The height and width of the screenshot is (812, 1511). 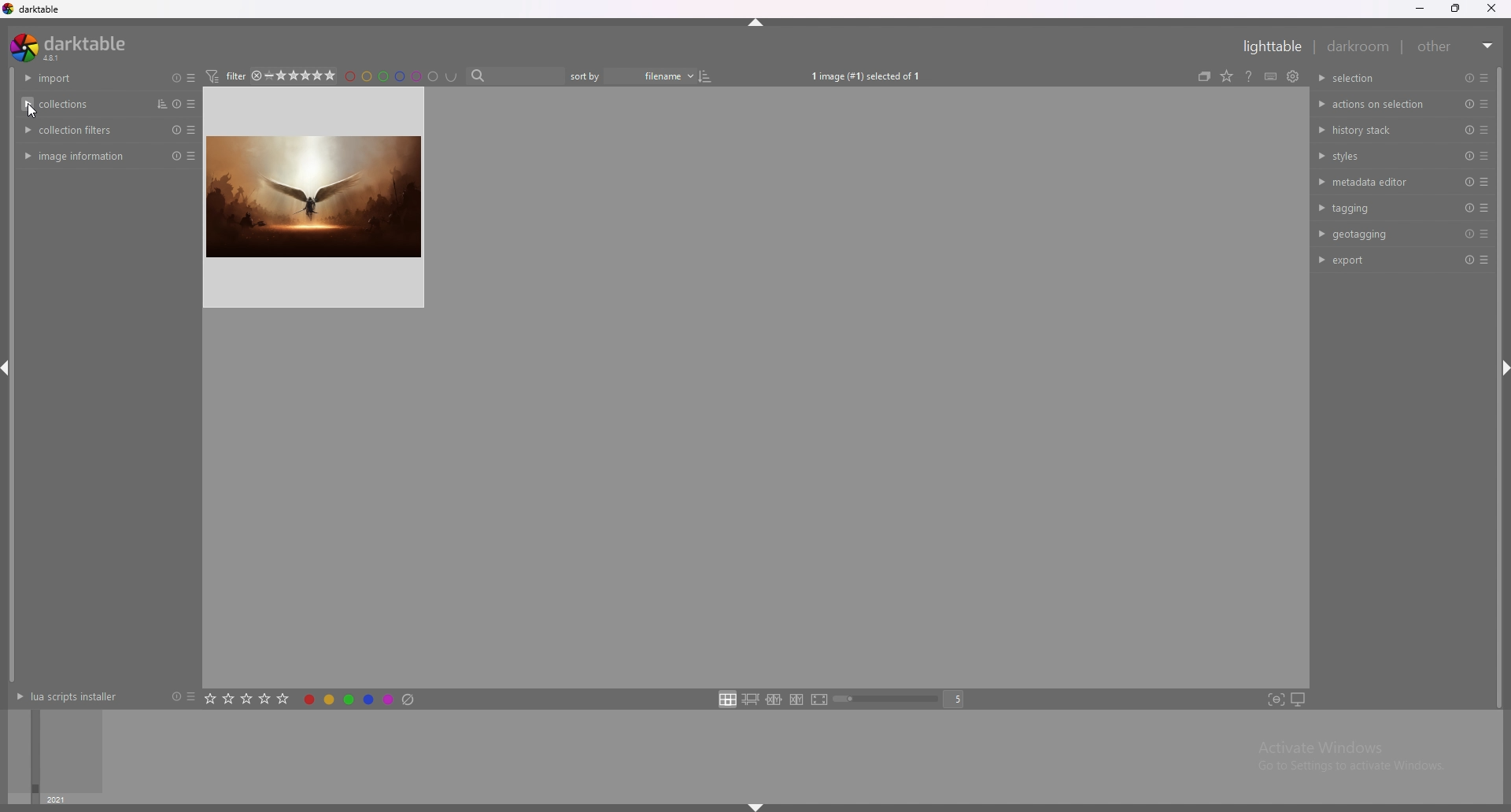 What do you see at coordinates (1359, 46) in the screenshot?
I see `darkroom` at bounding box center [1359, 46].